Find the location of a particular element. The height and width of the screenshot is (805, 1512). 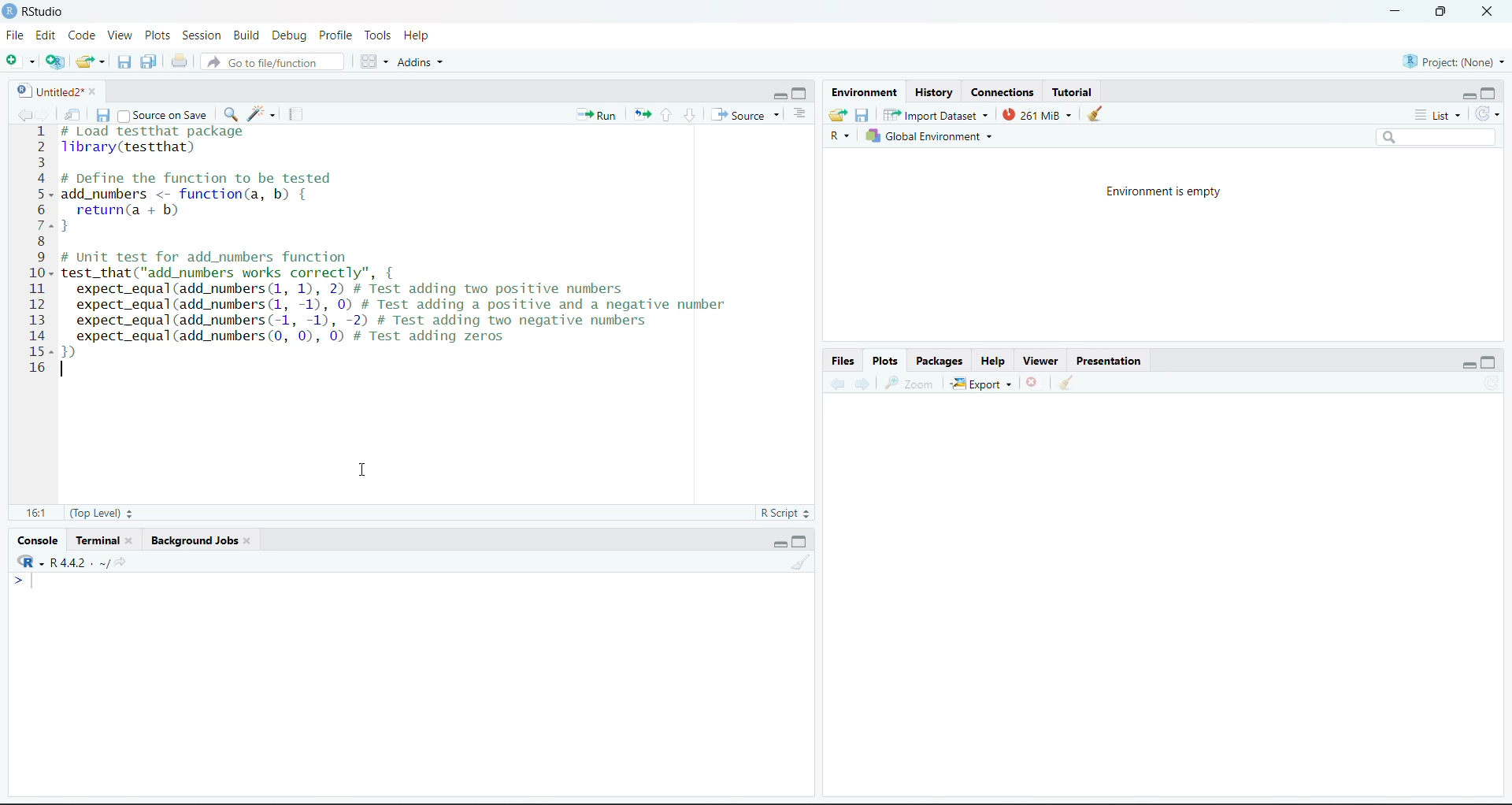

Forward is located at coordinates (862, 382).